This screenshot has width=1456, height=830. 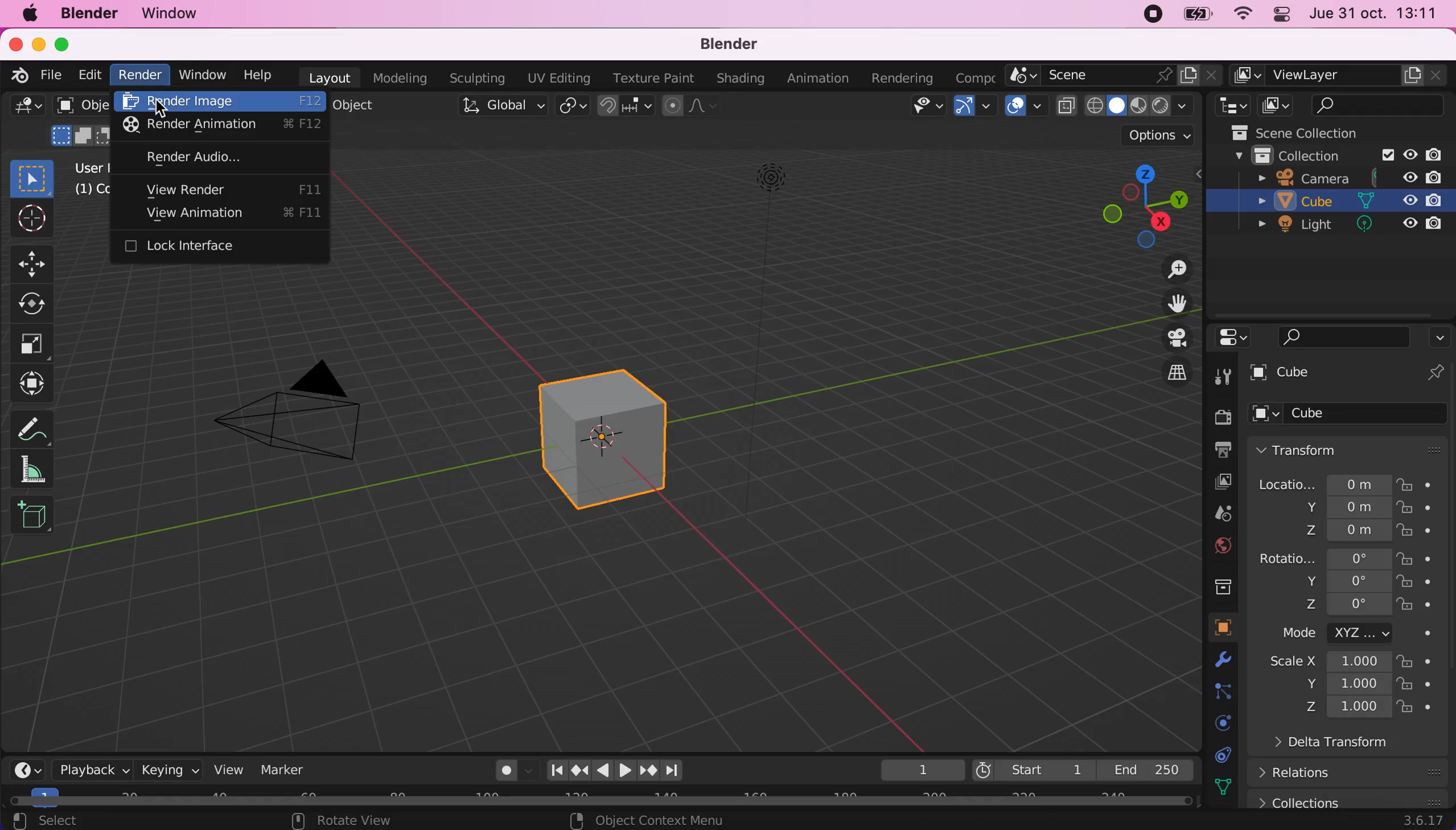 I want to click on cursor, so click(x=32, y=221).